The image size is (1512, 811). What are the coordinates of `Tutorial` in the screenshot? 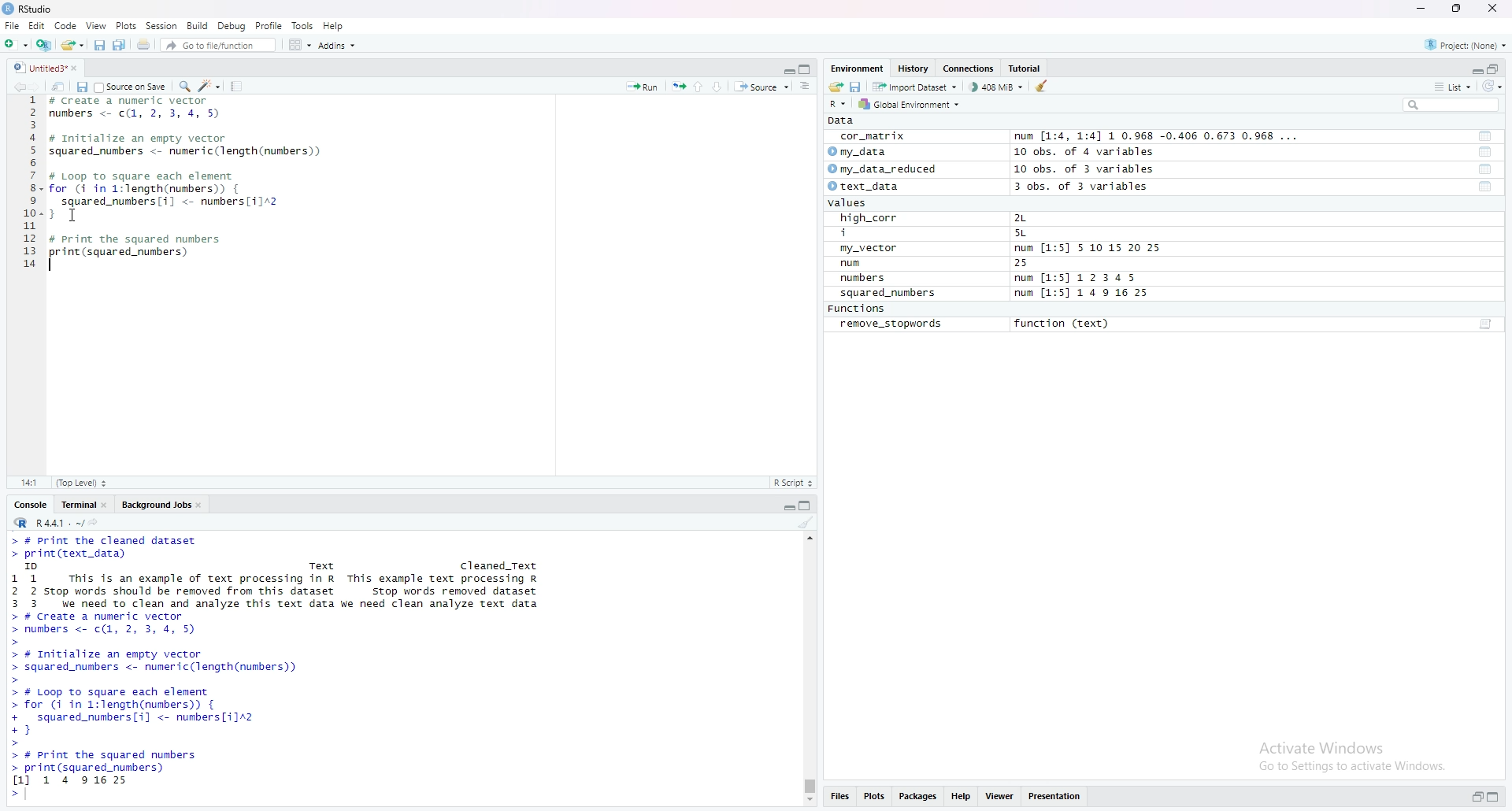 It's located at (1028, 69).